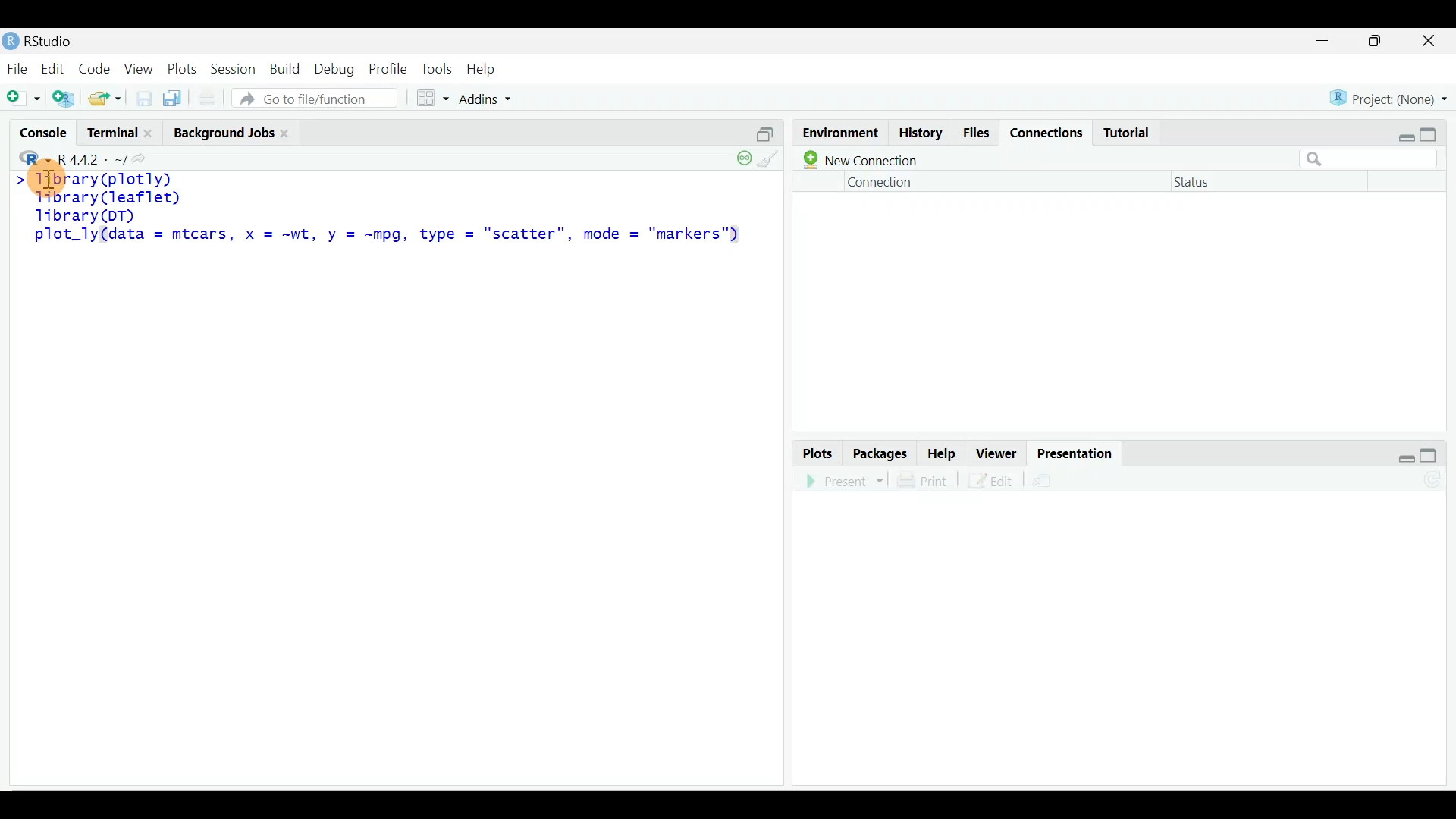  Describe the element at coordinates (761, 135) in the screenshot. I see `Split` at that location.